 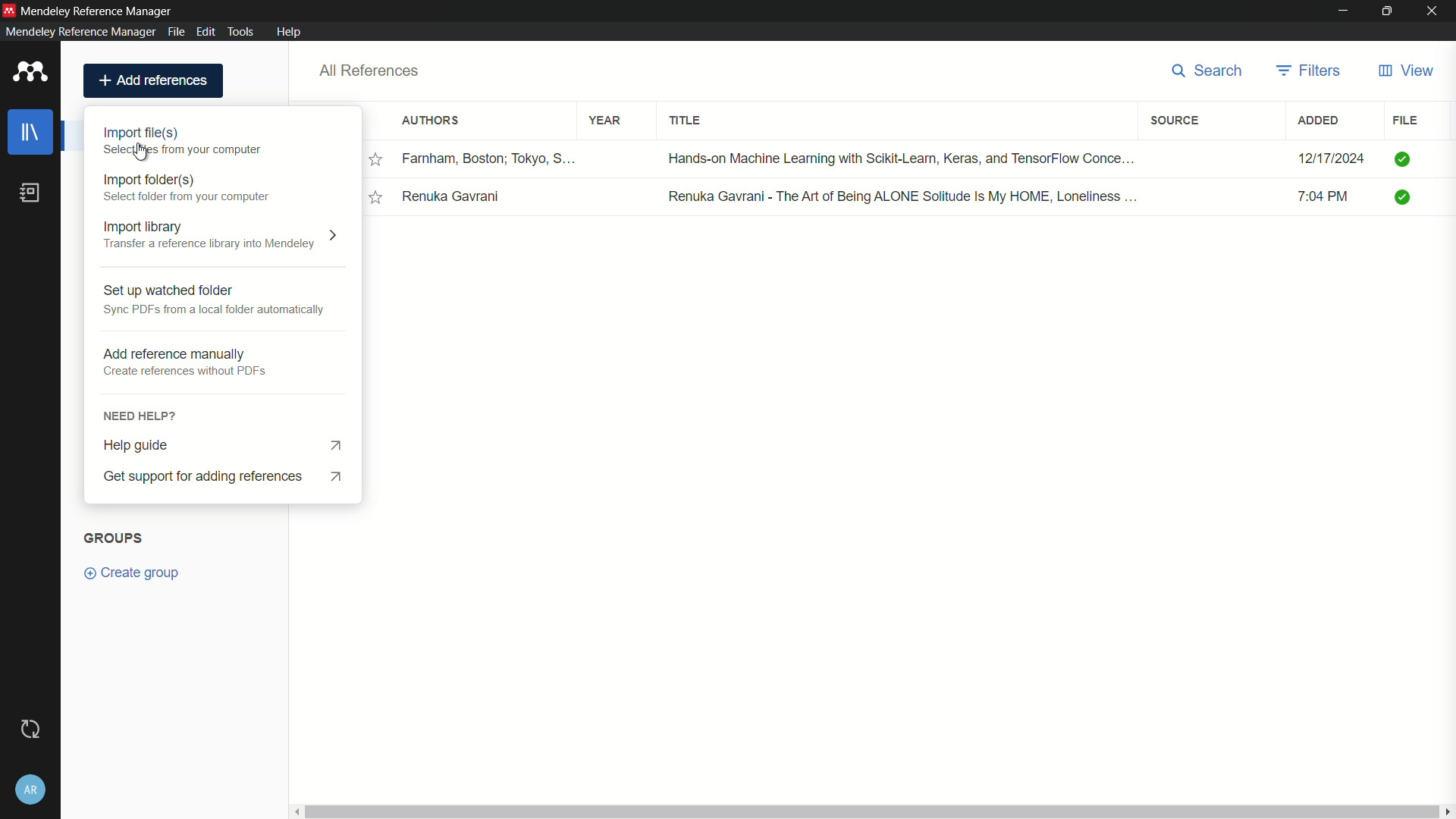 I want to click on import folders(s): Transfer a reference library into Mendeley, so click(x=187, y=188).